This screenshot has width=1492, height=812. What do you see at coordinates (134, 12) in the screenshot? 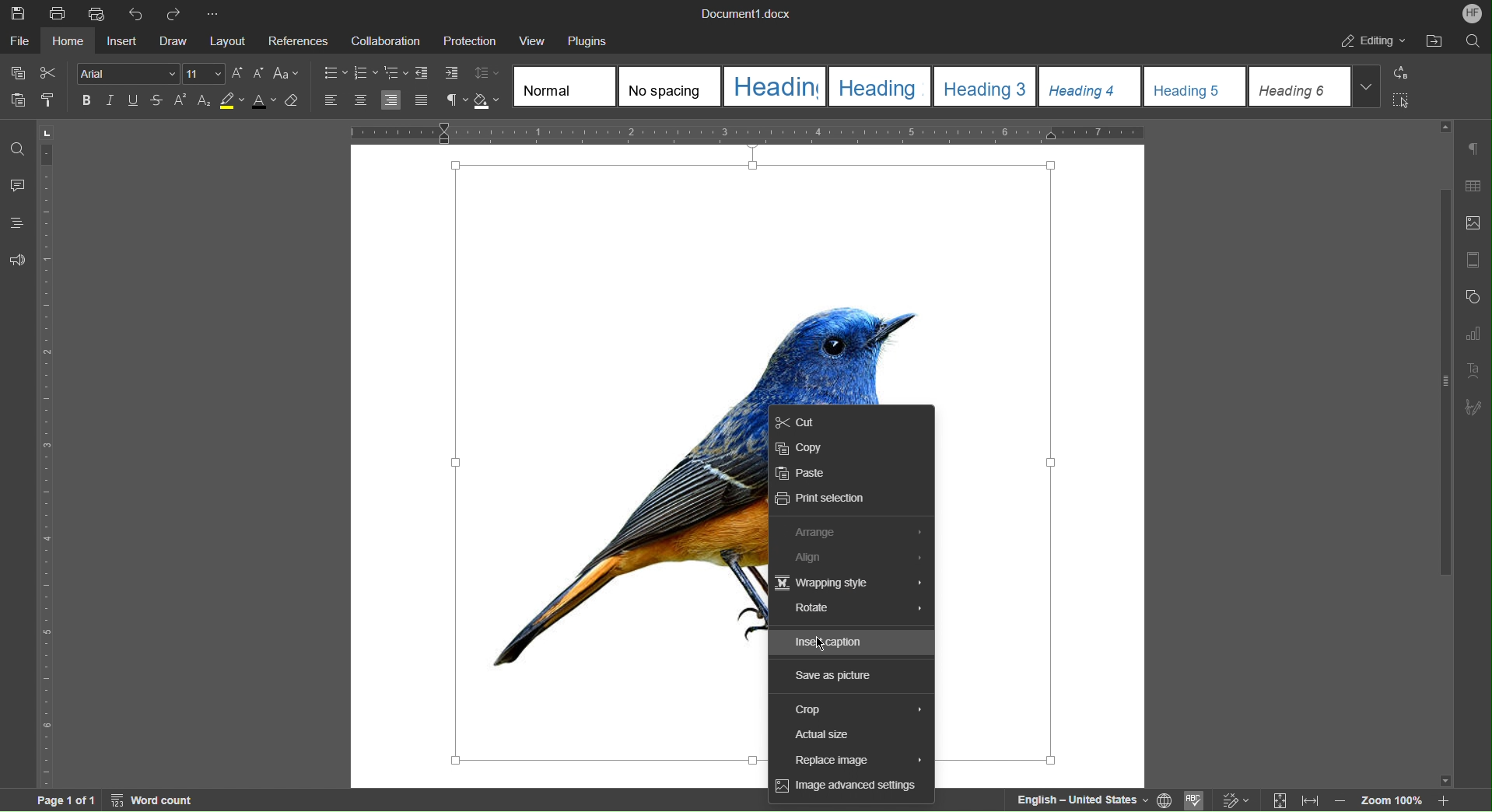
I see `Undo` at bounding box center [134, 12].